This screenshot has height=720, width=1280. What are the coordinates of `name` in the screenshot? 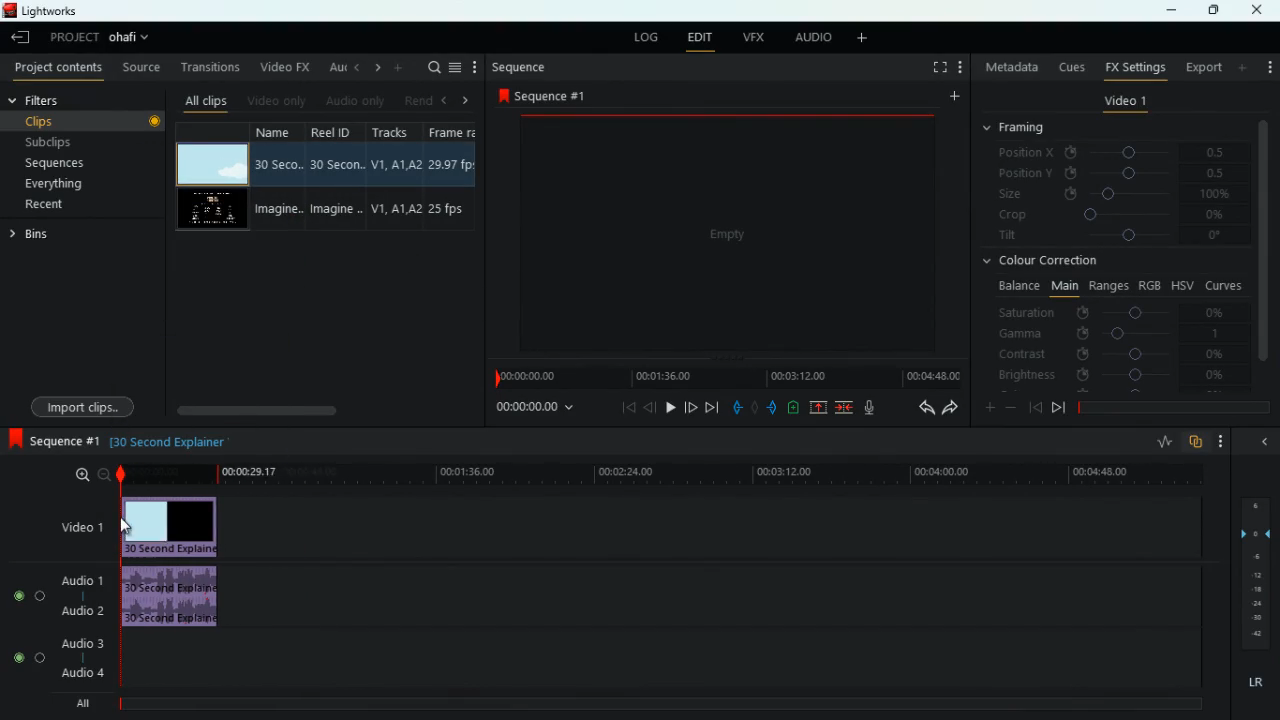 It's located at (281, 134).